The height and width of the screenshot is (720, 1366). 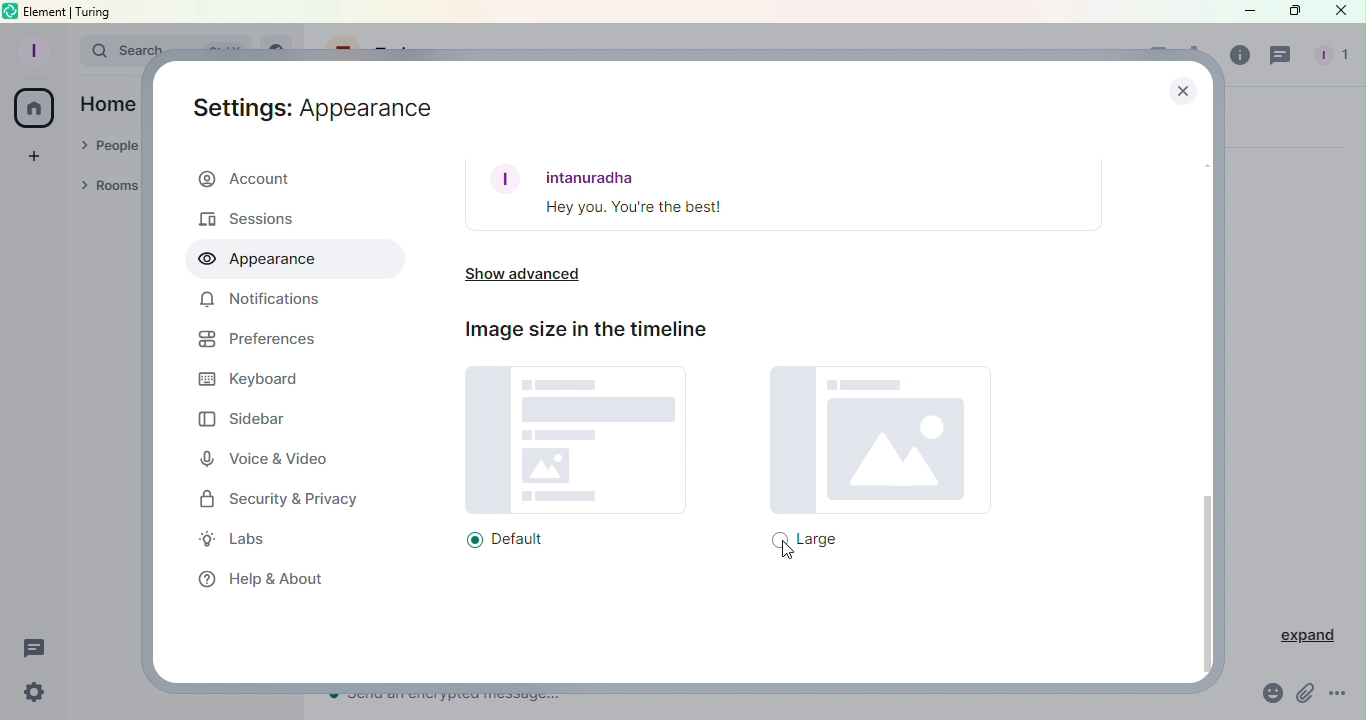 I want to click on Labs, so click(x=247, y=542).